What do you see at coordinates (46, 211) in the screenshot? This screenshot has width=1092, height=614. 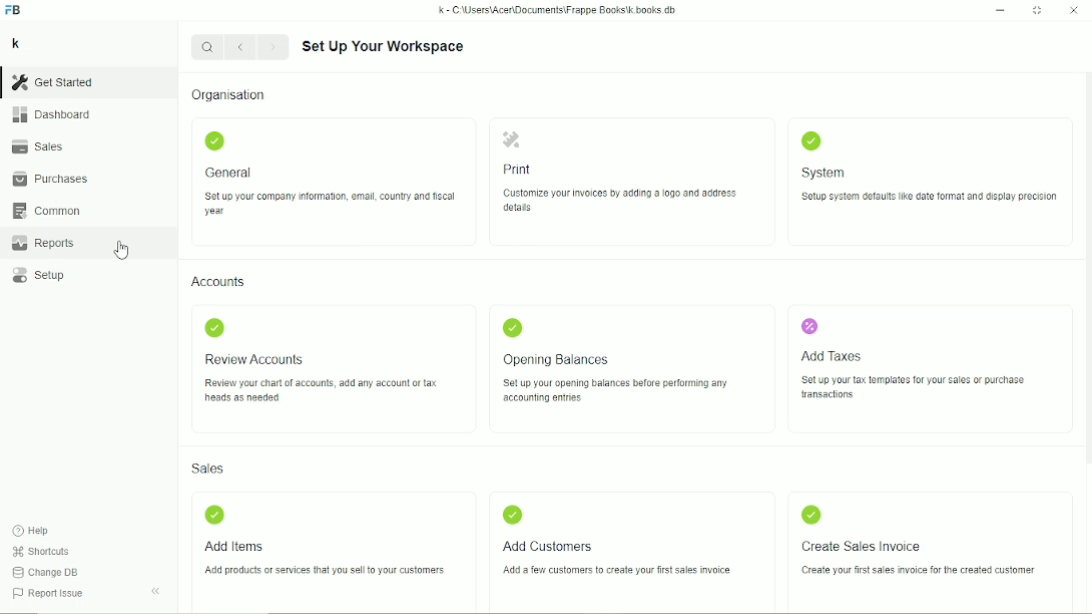 I see `Common` at bounding box center [46, 211].